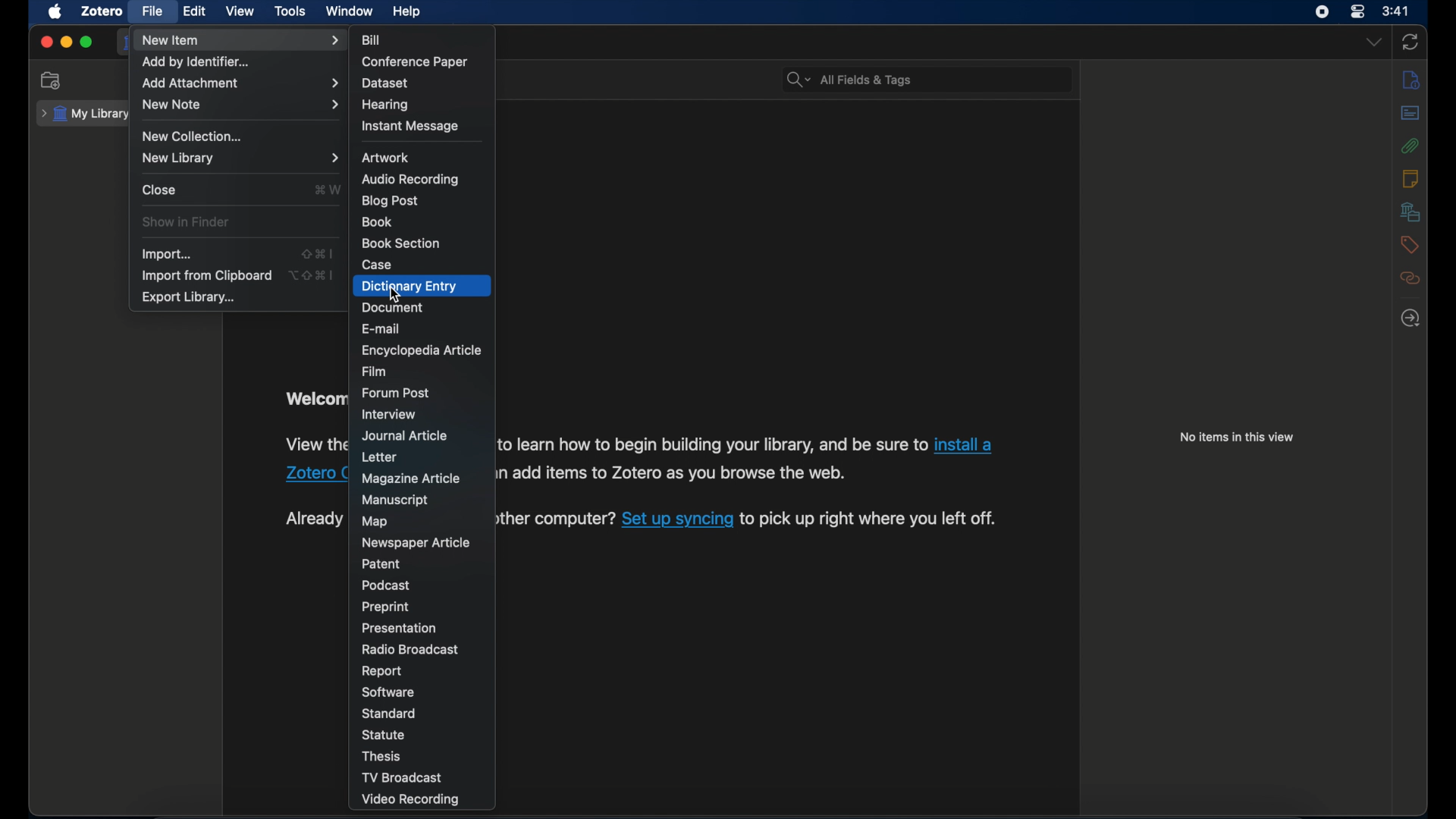 The image size is (1456, 819). What do you see at coordinates (413, 479) in the screenshot?
I see `magazine article` at bounding box center [413, 479].